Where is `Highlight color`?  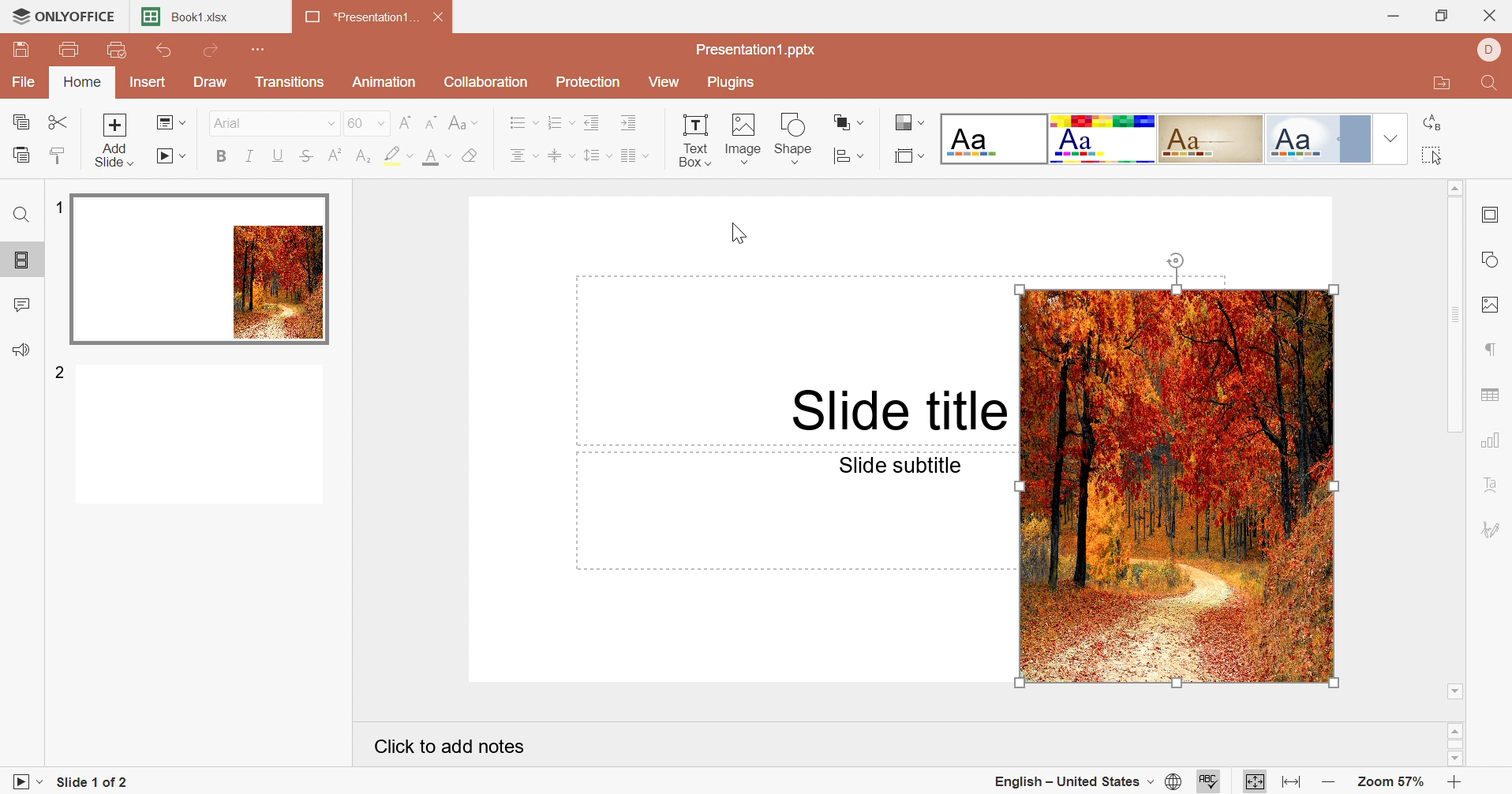
Highlight color is located at coordinates (395, 155).